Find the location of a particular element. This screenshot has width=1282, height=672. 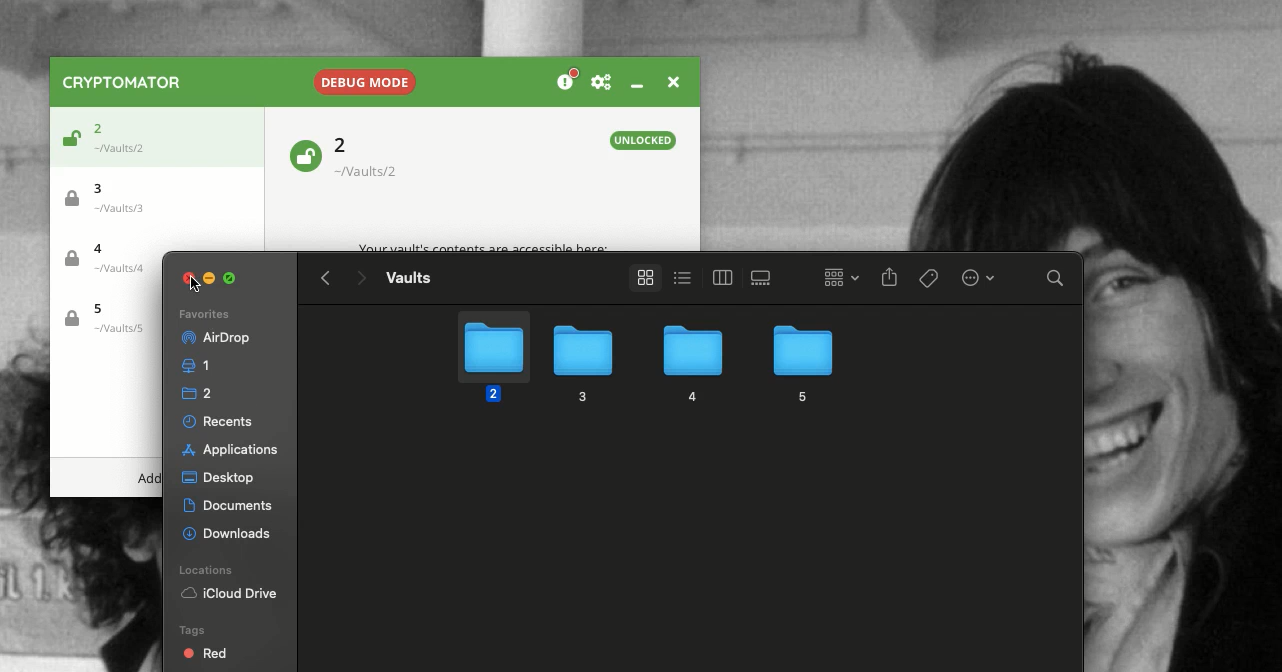

5 is located at coordinates (801, 361).